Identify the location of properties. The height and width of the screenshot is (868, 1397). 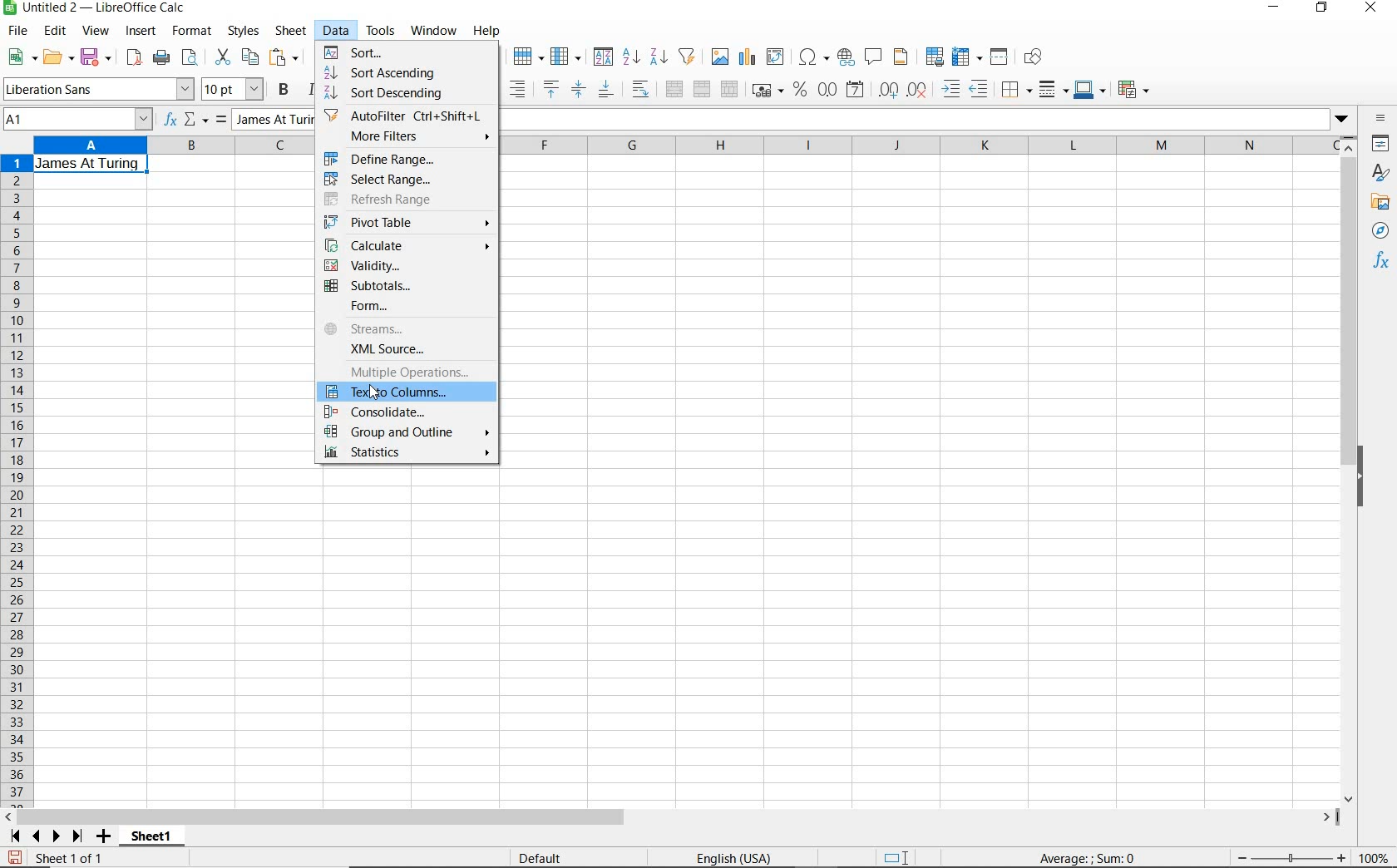
(1381, 143).